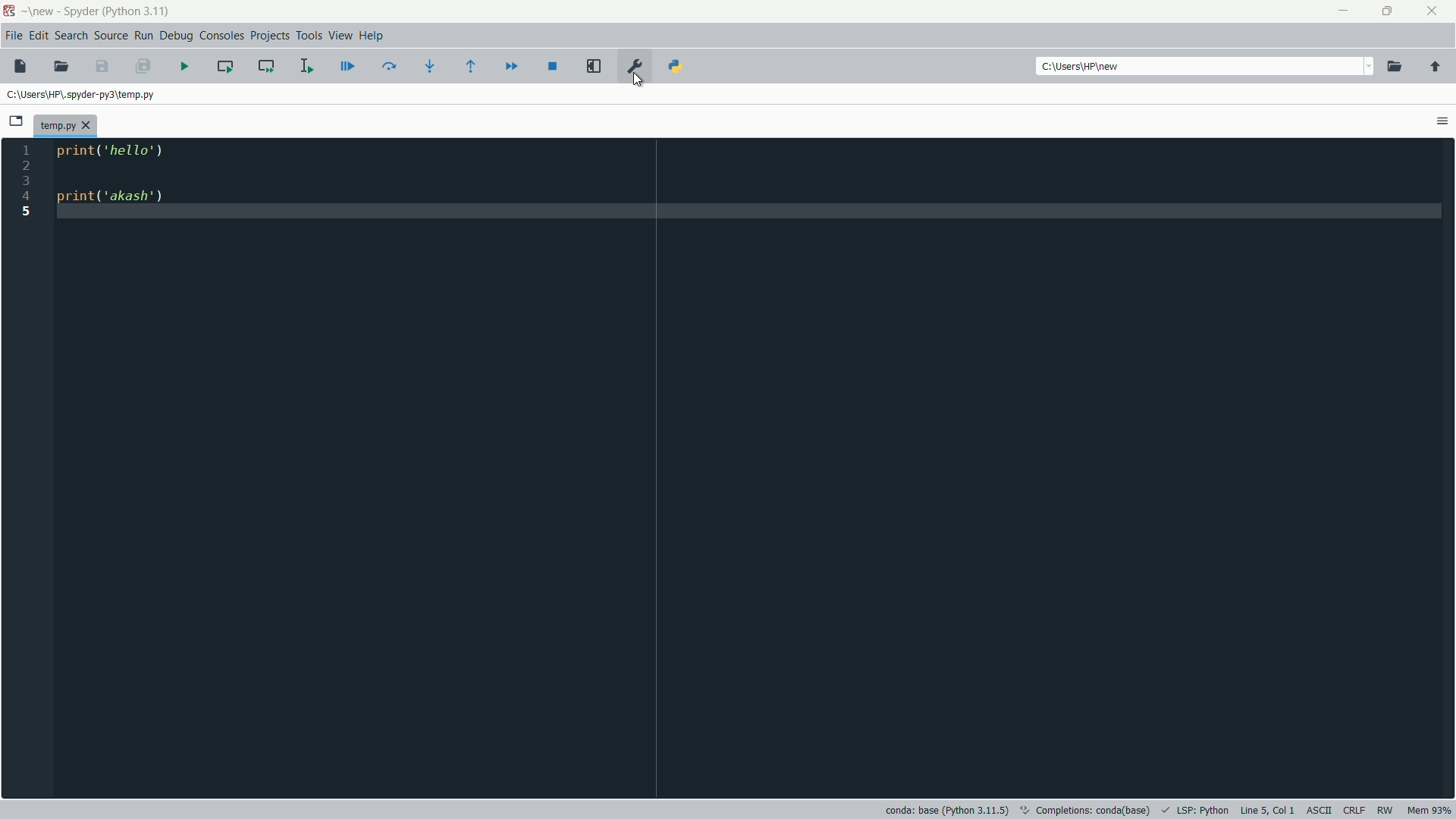  I want to click on browse directory, so click(1395, 67).